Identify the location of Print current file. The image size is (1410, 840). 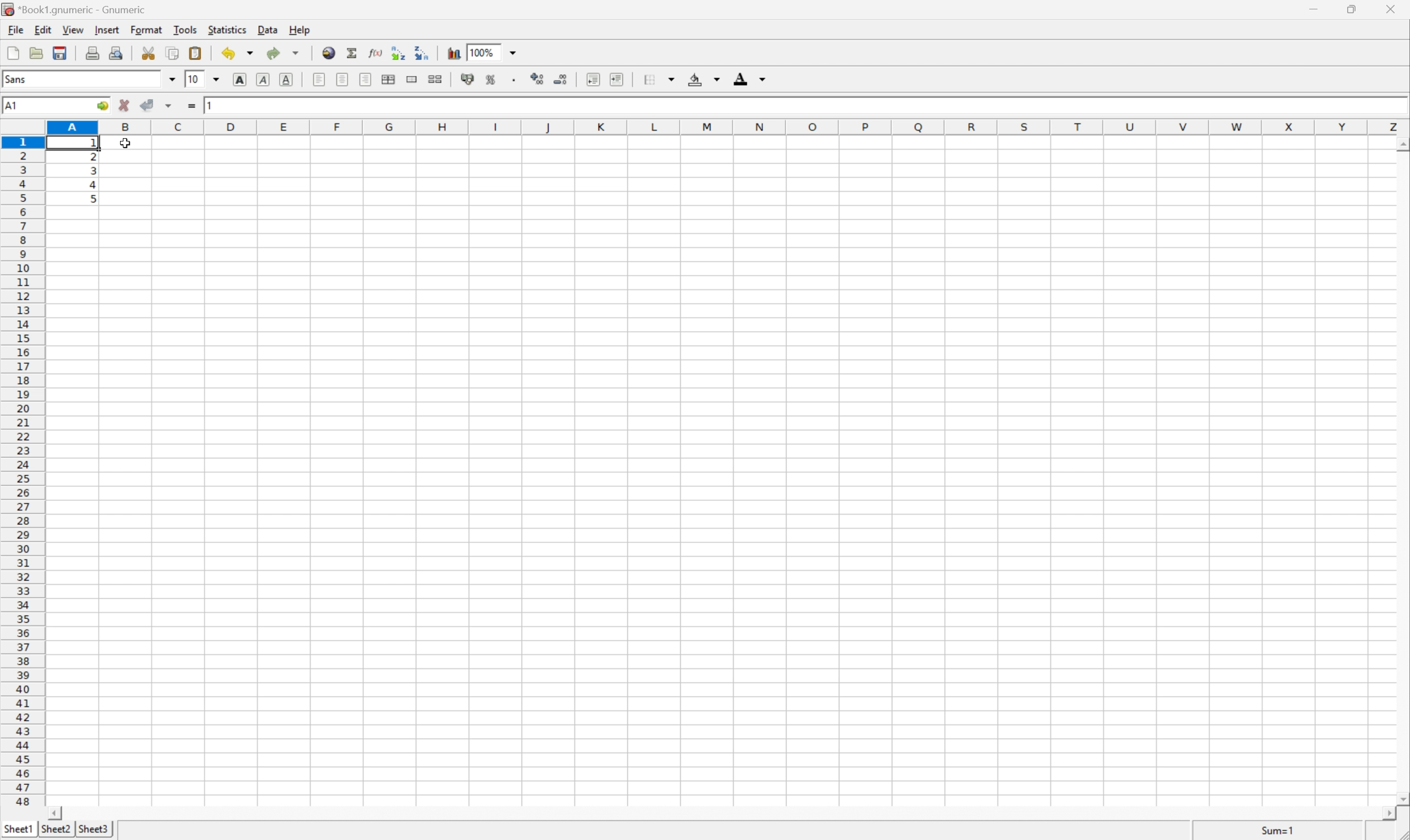
(92, 52).